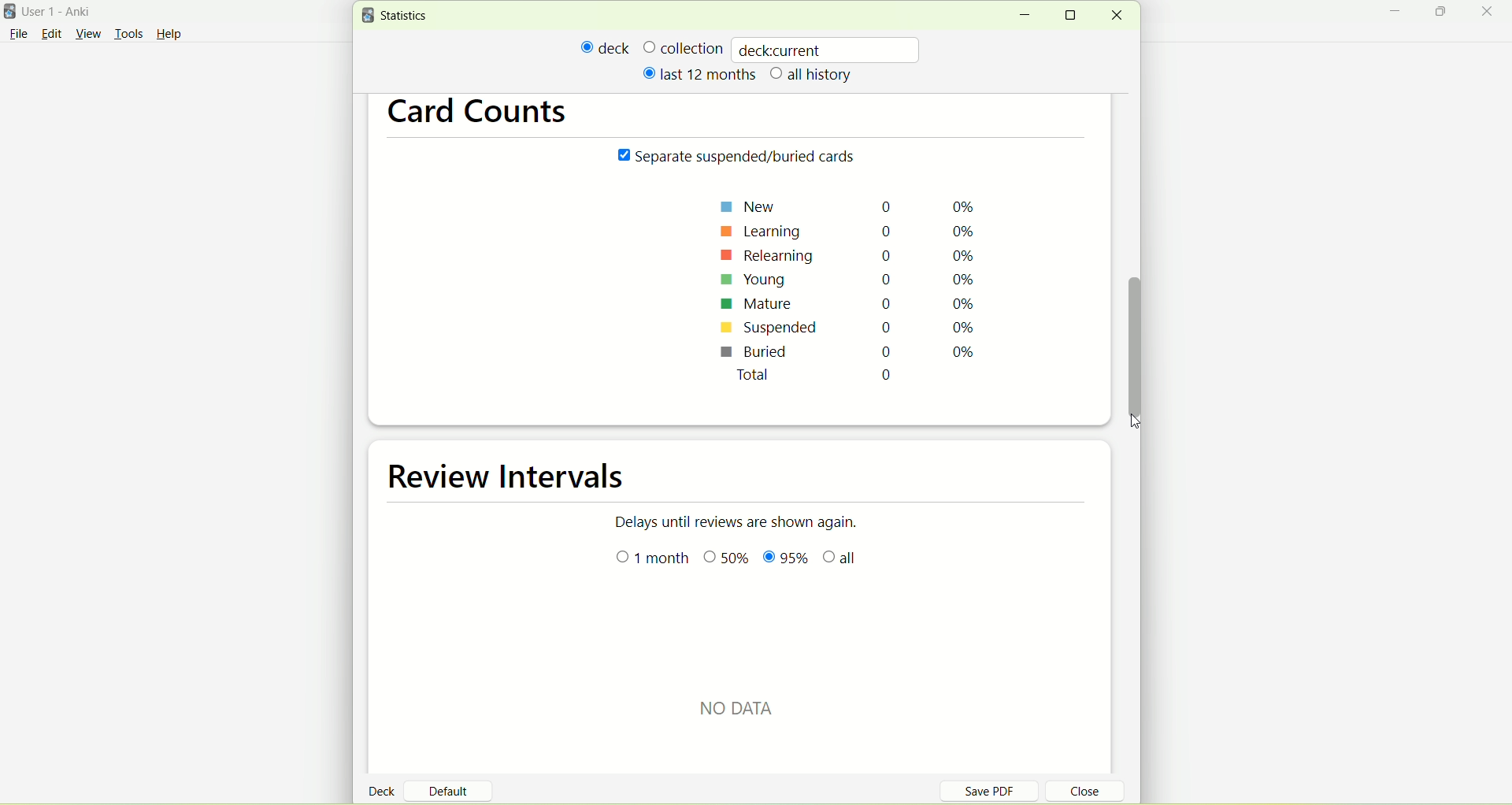  Describe the element at coordinates (740, 158) in the screenshot. I see `Separate suspended/buried cards` at that location.